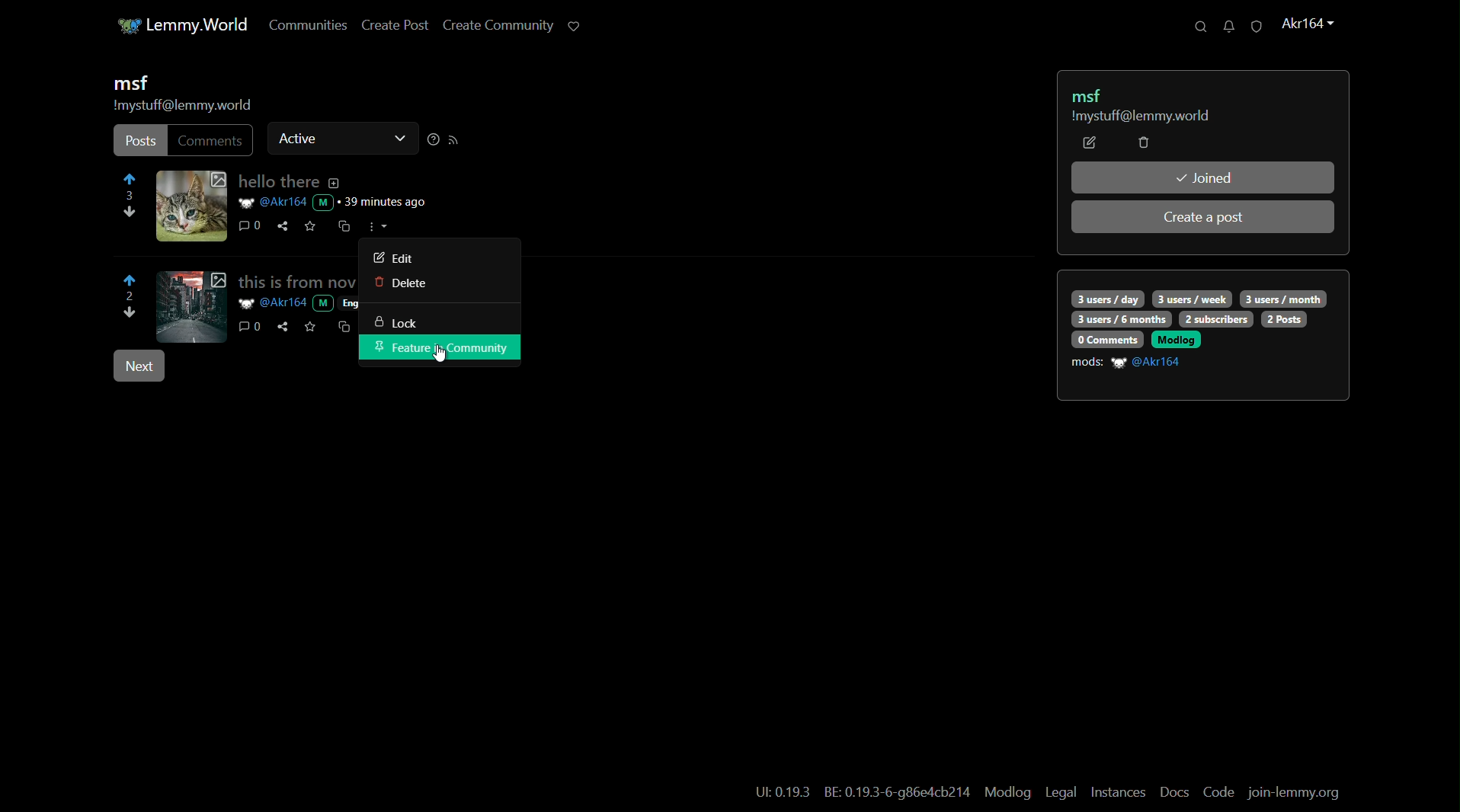 The image size is (1460, 812). What do you see at coordinates (1194, 27) in the screenshot?
I see `search` at bounding box center [1194, 27].